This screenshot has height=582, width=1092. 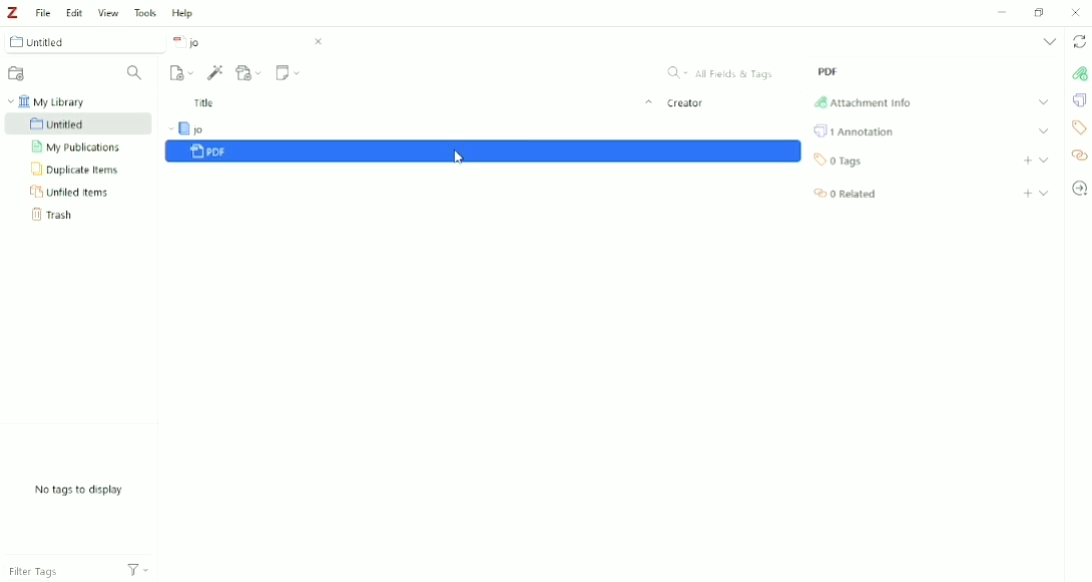 I want to click on Attachment Info, so click(x=861, y=102).